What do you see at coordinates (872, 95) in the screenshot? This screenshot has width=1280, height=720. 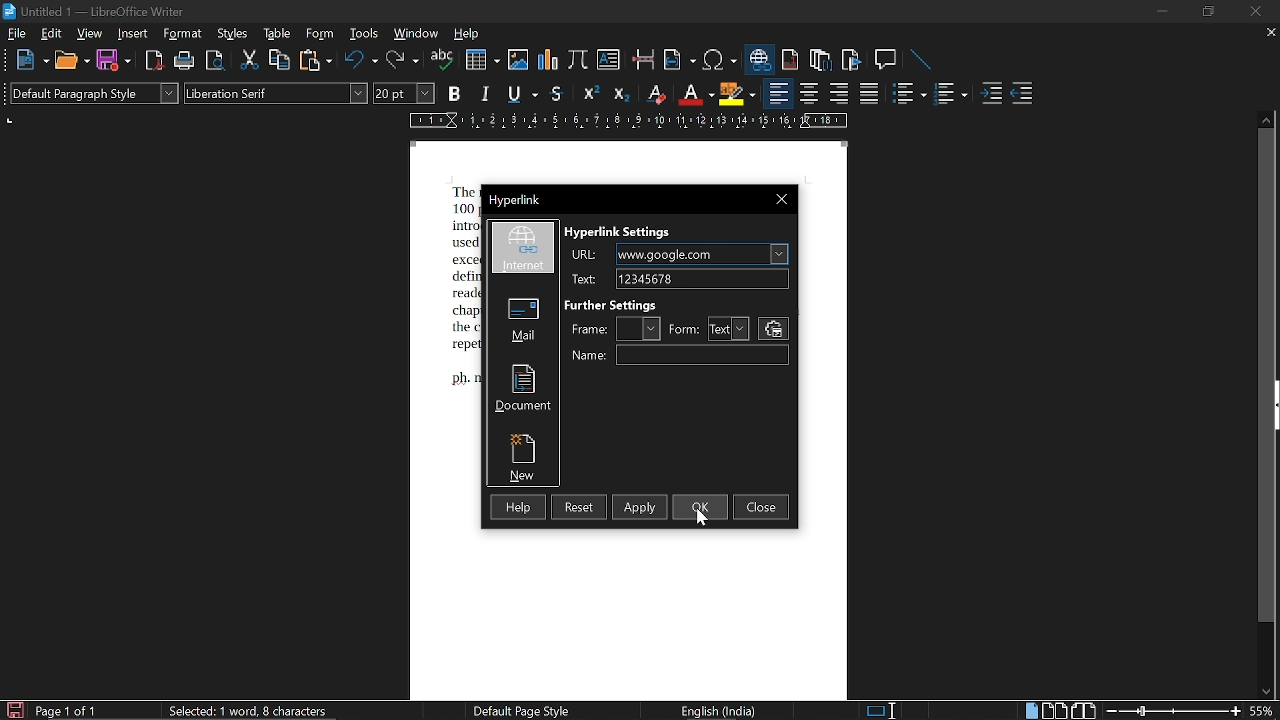 I see `justified` at bounding box center [872, 95].